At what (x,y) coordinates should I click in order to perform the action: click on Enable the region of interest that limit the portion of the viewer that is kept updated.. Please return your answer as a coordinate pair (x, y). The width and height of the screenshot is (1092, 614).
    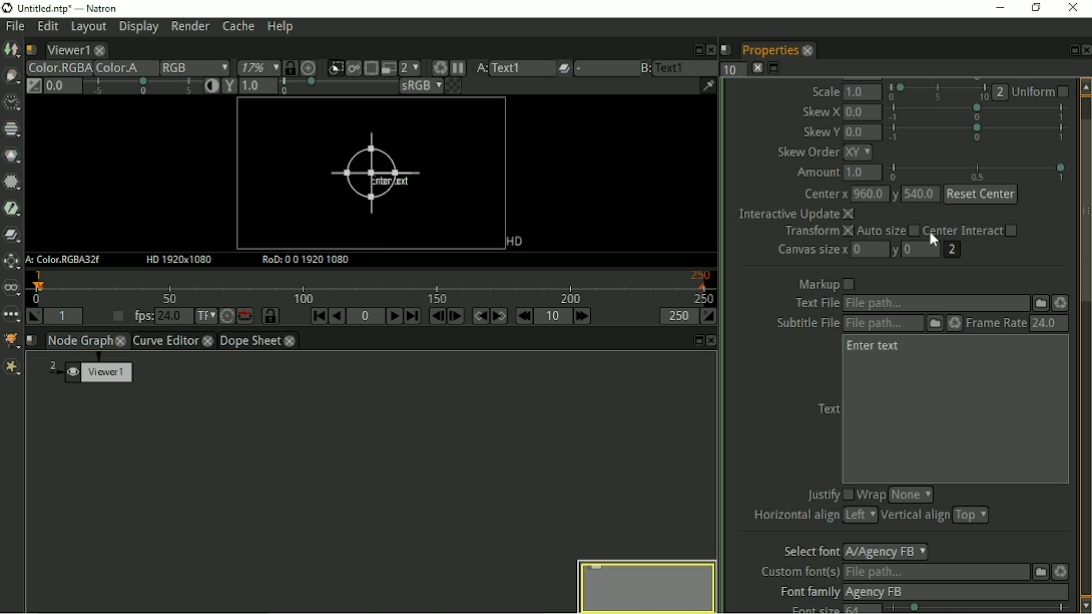
    Looking at the image, I should click on (371, 66).